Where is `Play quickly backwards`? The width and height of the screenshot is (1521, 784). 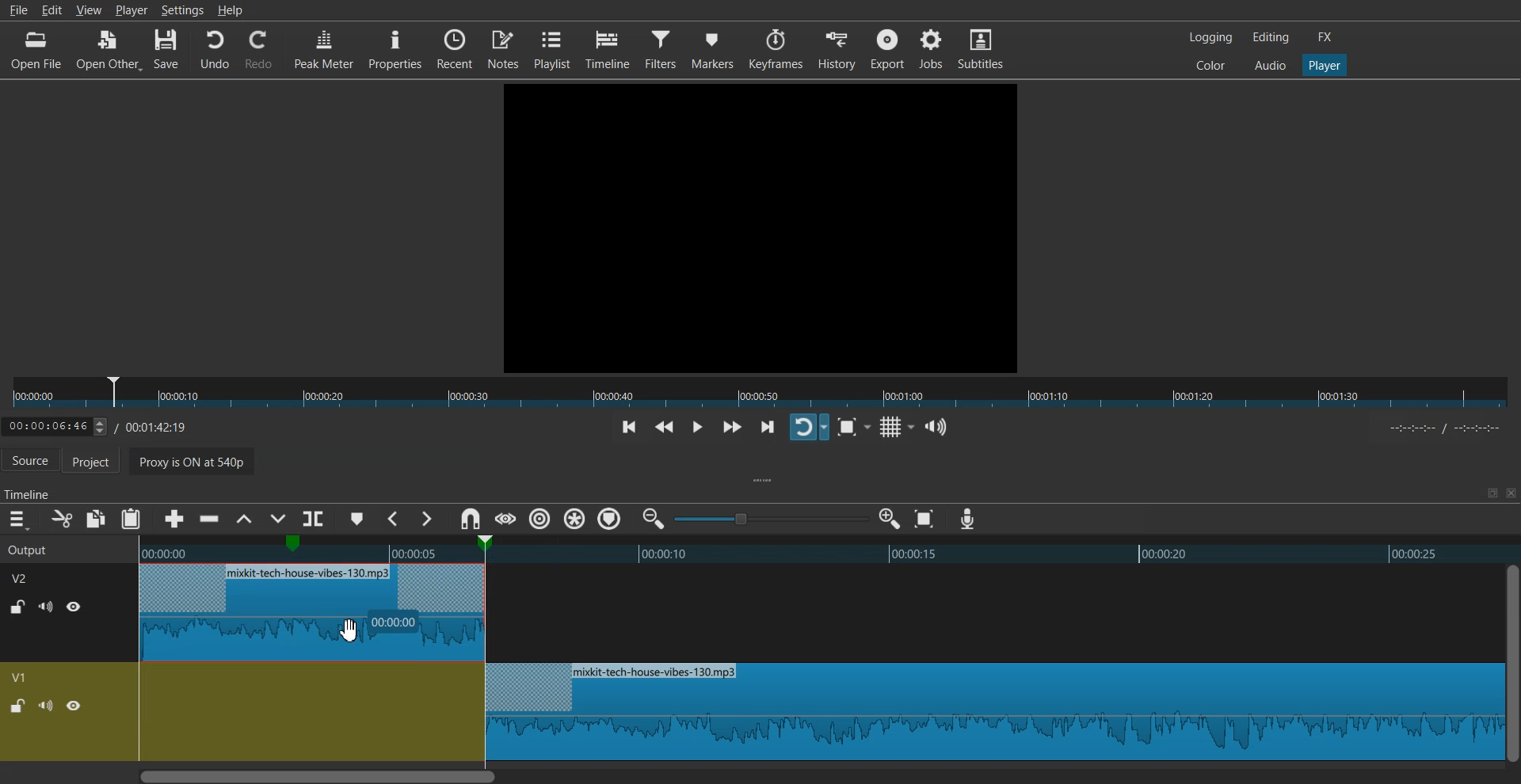
Play quickly backwards is located at coordinates (665, 428).